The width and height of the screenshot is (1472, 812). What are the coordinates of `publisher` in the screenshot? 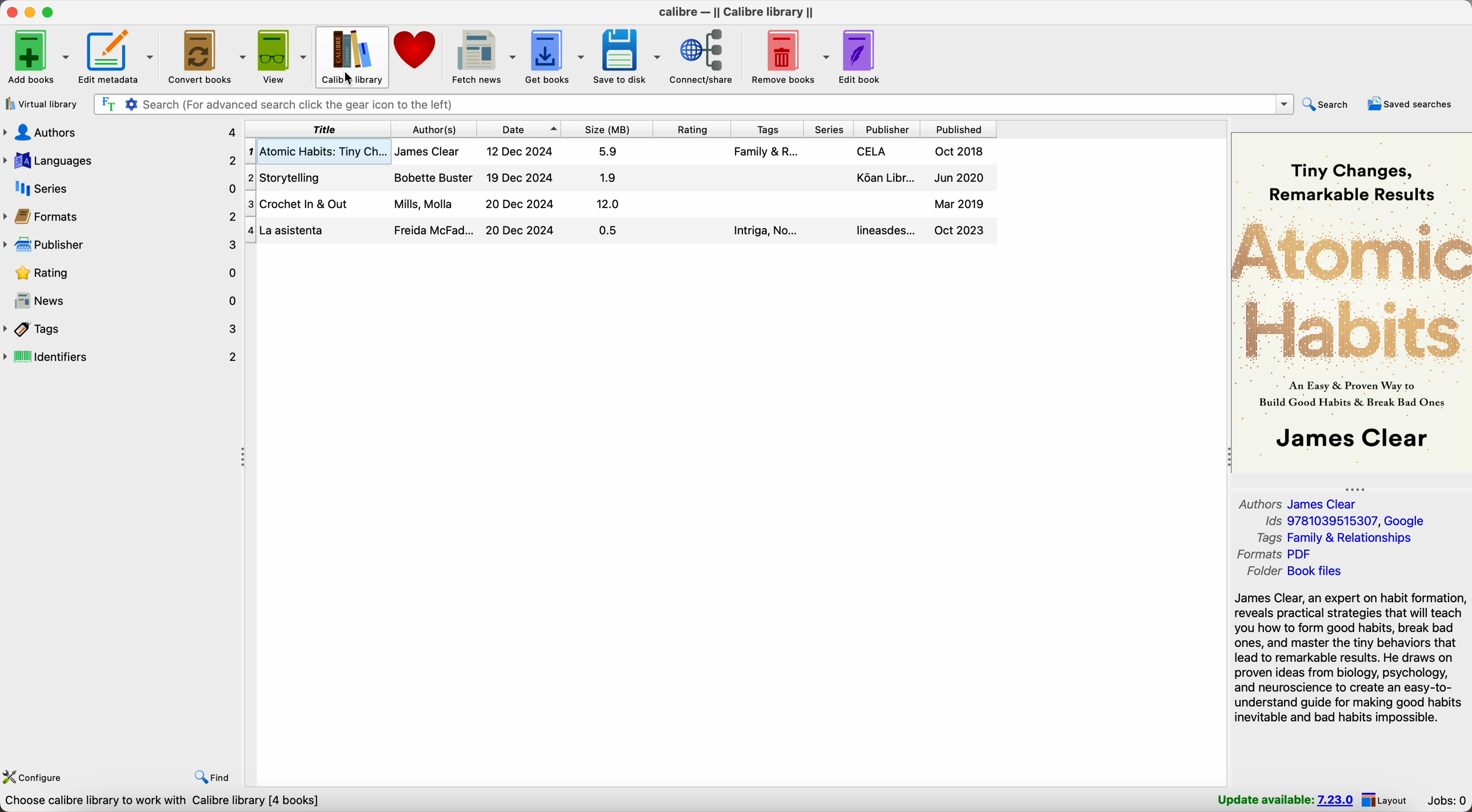 It's located at (887, 130).